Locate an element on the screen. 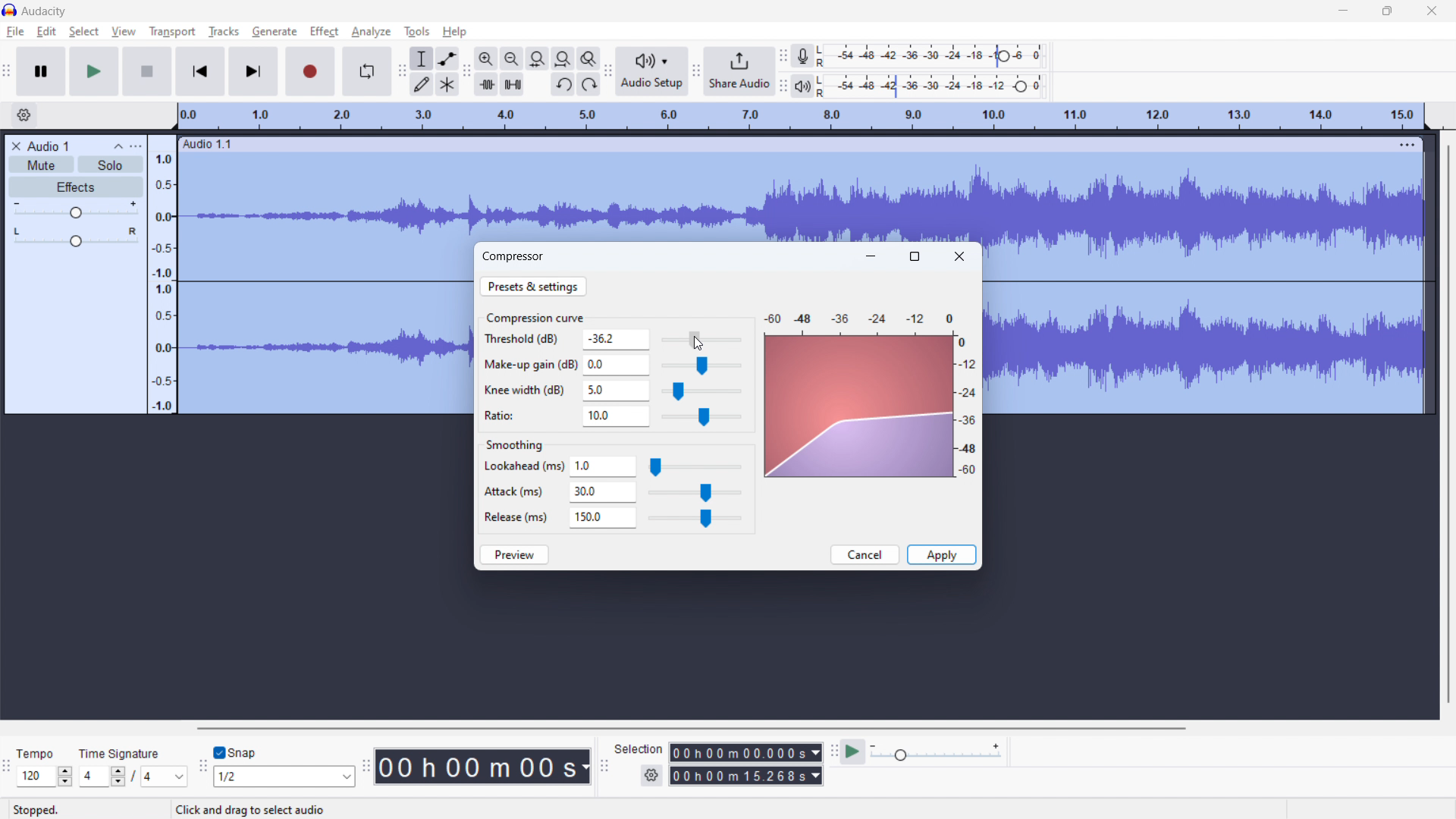 The height and width of the screenshot is (819, 1456). amplitude is located at coordinates (162, 273).